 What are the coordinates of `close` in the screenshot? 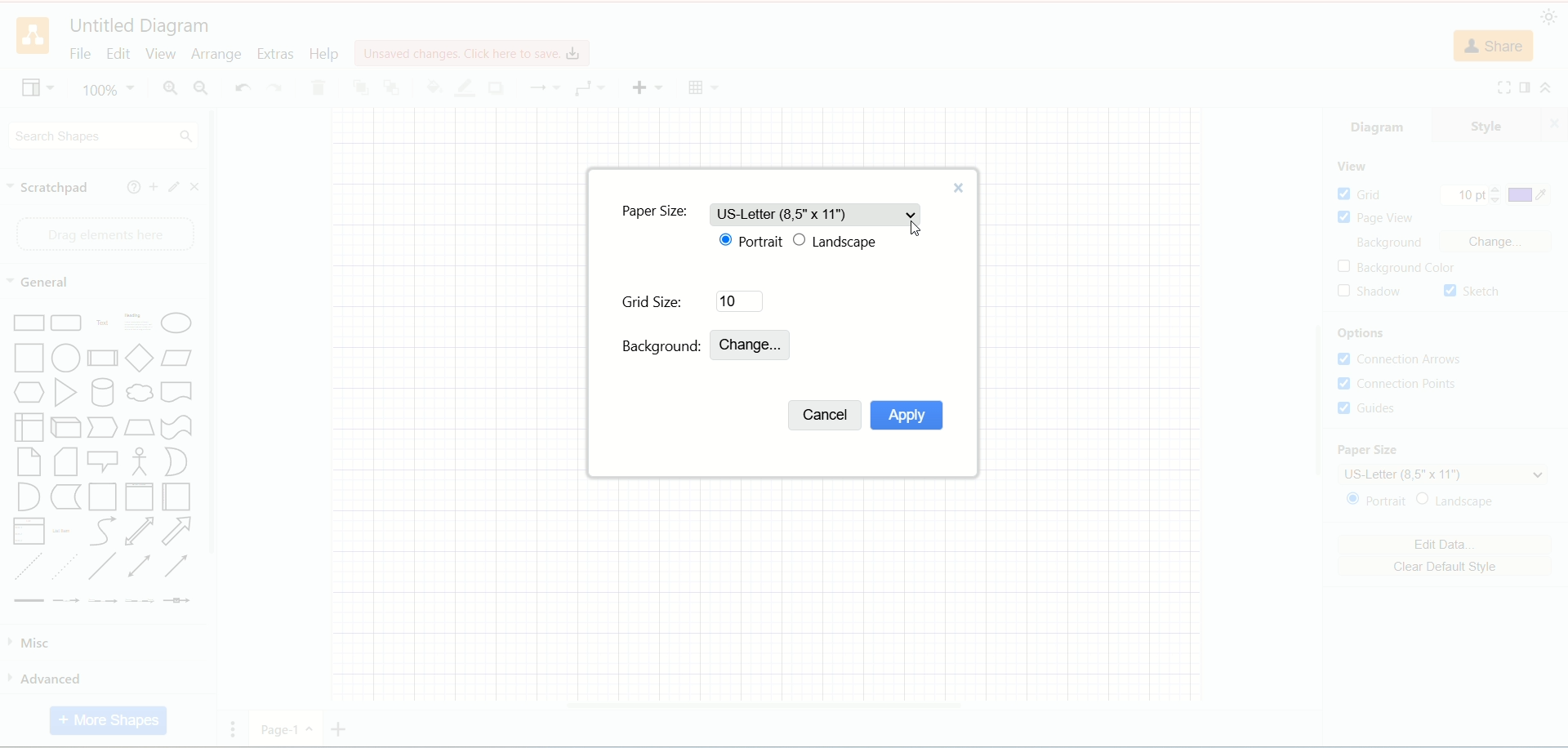 It's located at (198, 186).